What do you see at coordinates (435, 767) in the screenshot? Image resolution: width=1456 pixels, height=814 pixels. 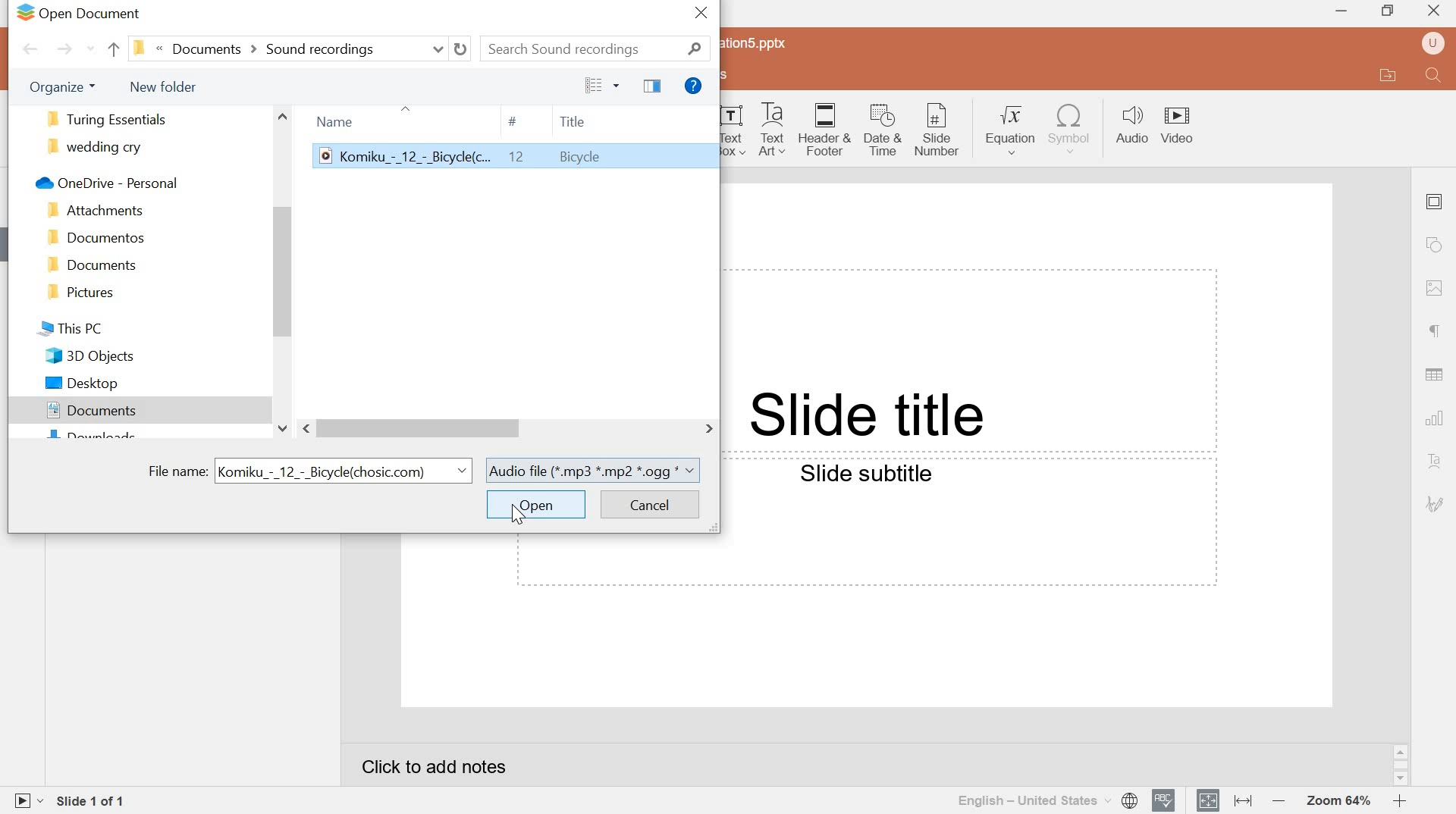 I see `click to add notes` at bounding box center [435, 767].